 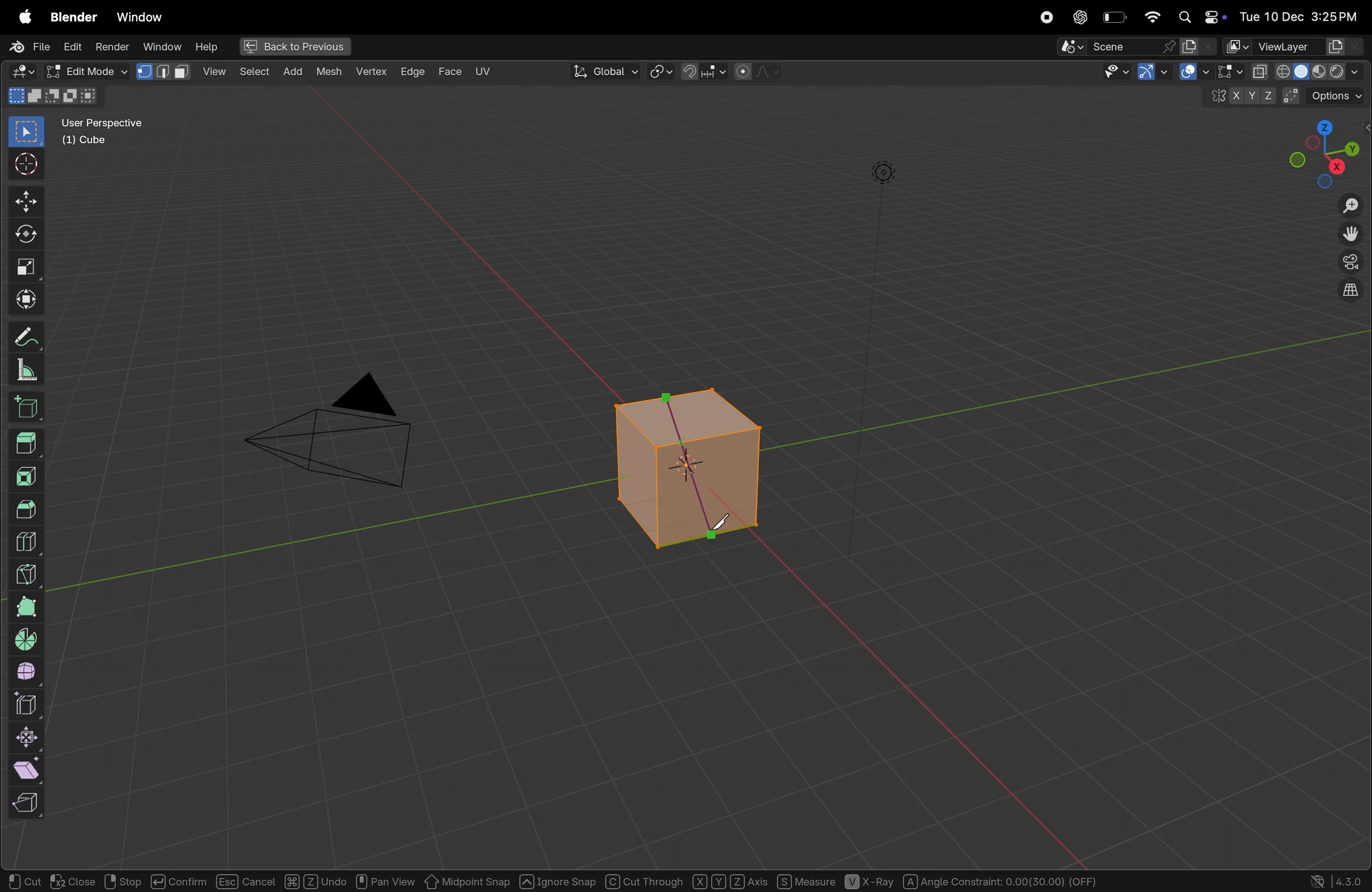 I want to click on uv, so click(x=483, y=71).